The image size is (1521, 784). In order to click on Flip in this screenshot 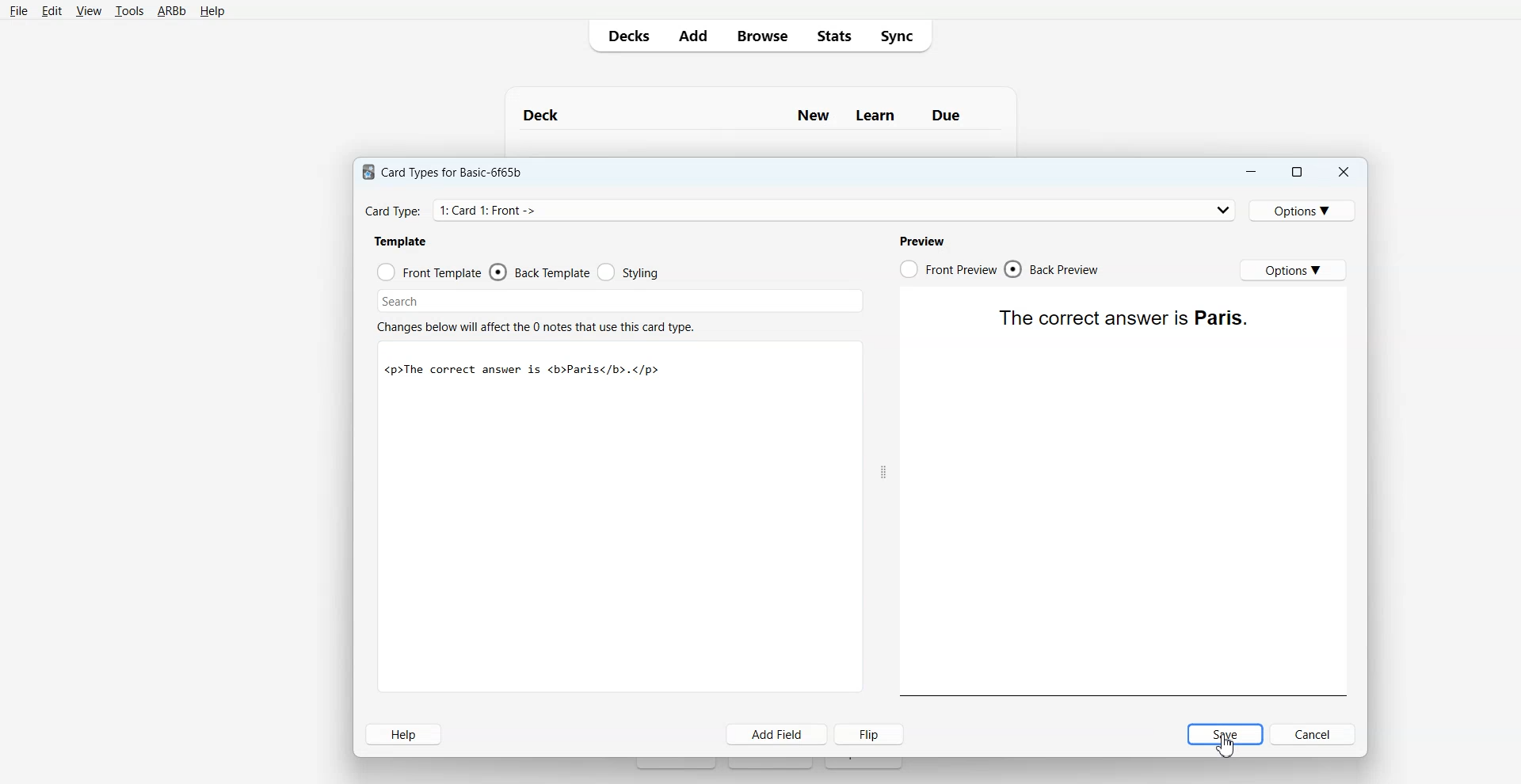, I will do `click(871, 734)`.